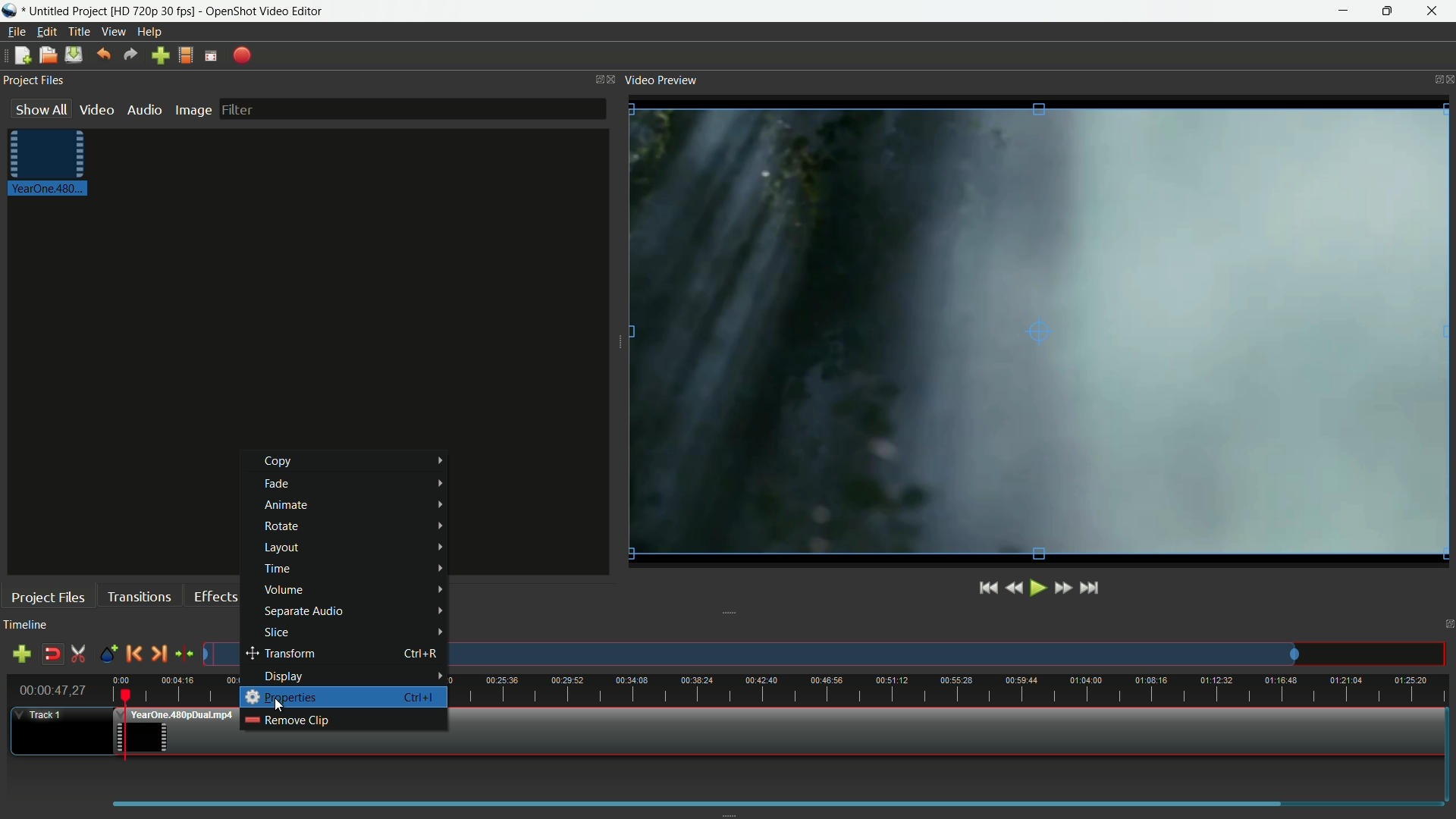 The image size is (1456, 819). What do you see at coordinates (130, 55) in the screenshot?
I see `redo` at bounding box center [130, 55].